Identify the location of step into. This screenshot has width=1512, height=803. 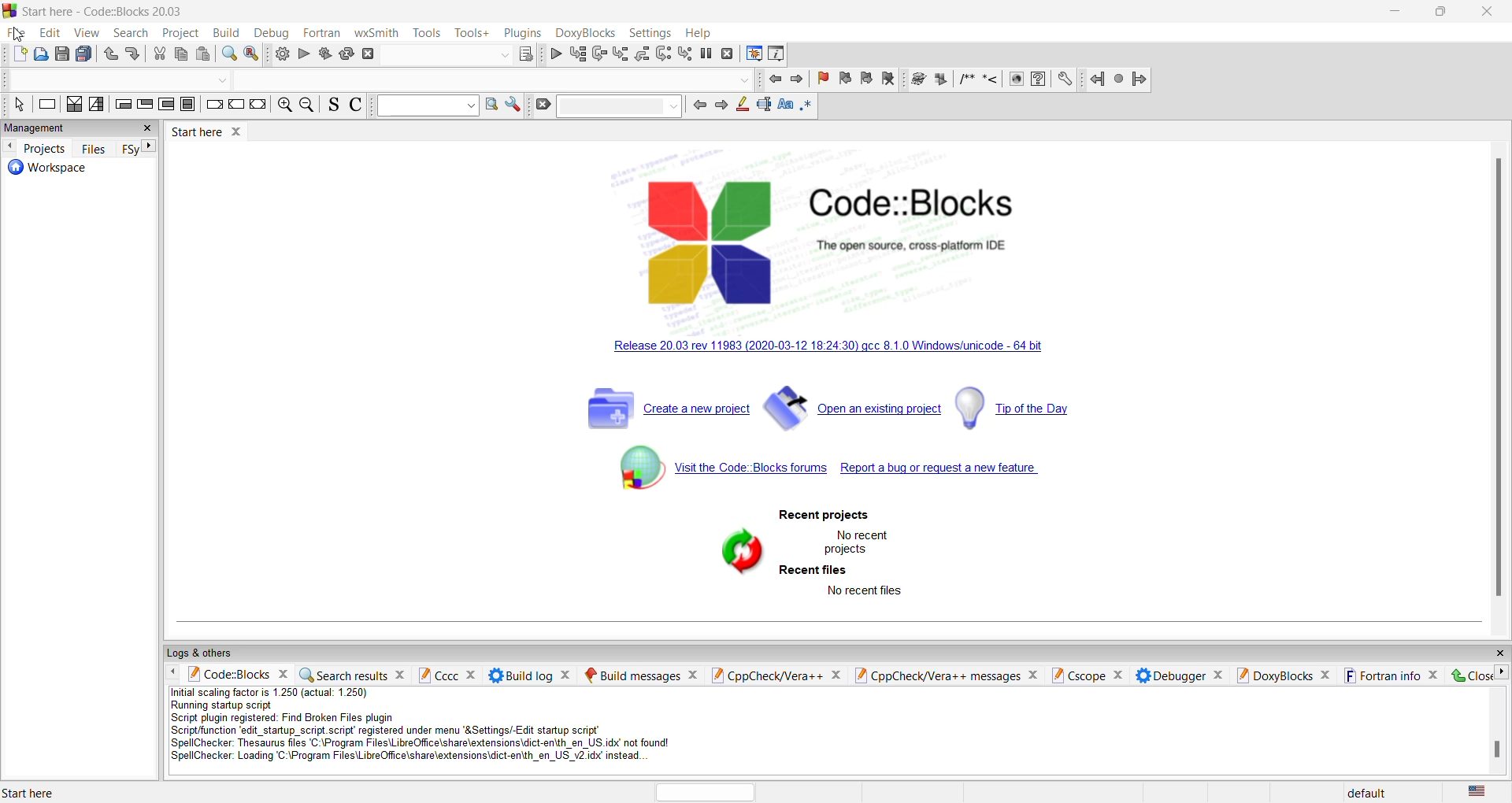
(621, 54).